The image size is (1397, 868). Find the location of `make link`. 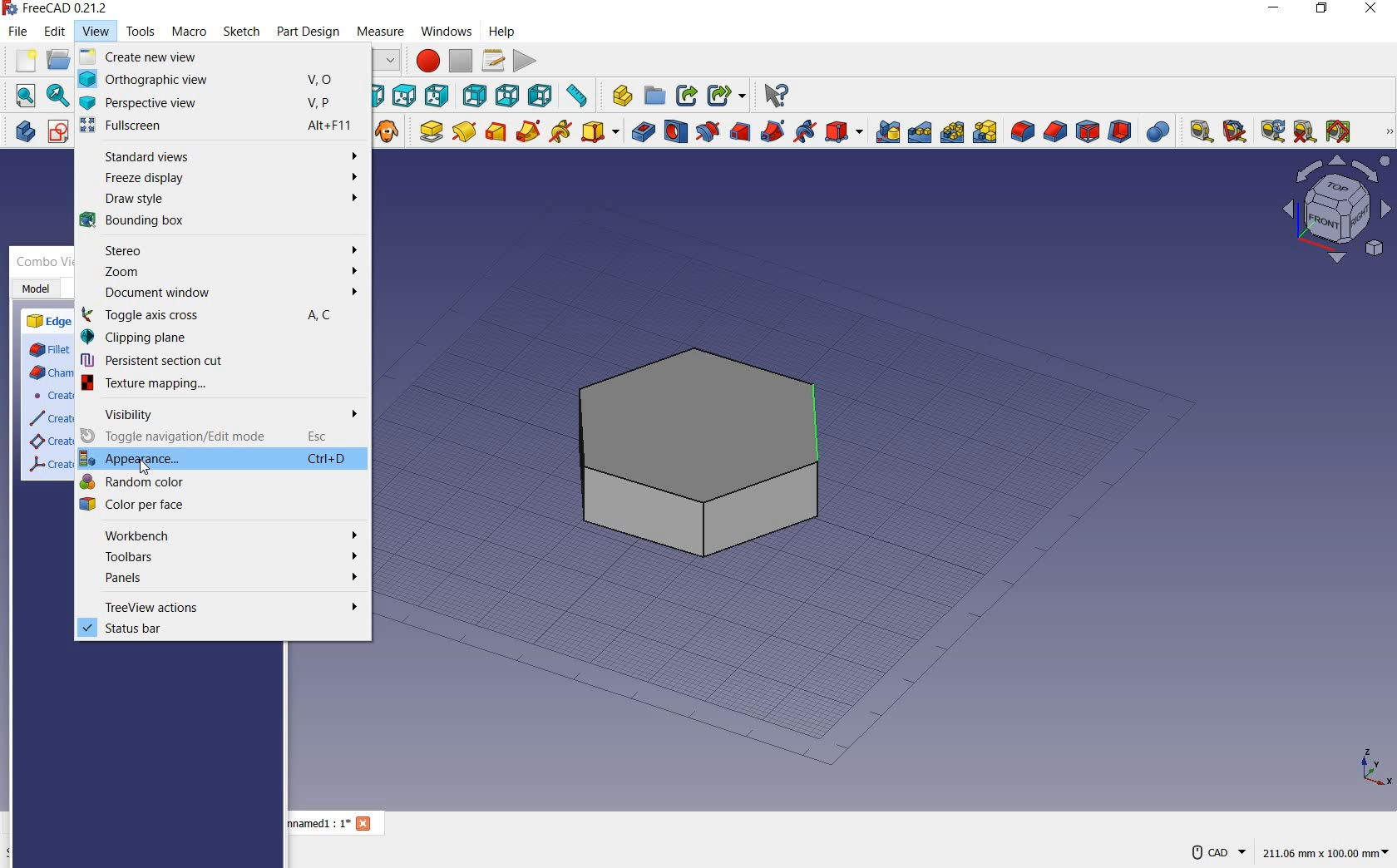

make link is located at coordinates (684, 96).